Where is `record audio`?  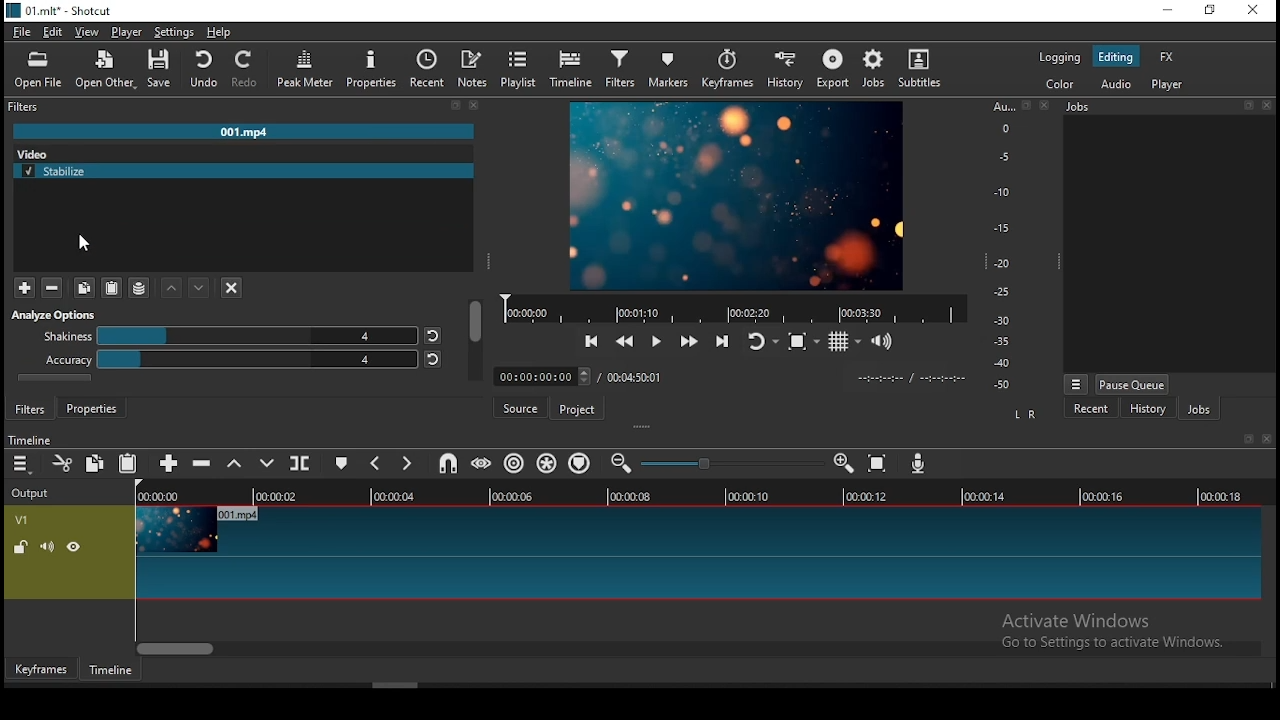
record audio is located at coordinates (916, 464).